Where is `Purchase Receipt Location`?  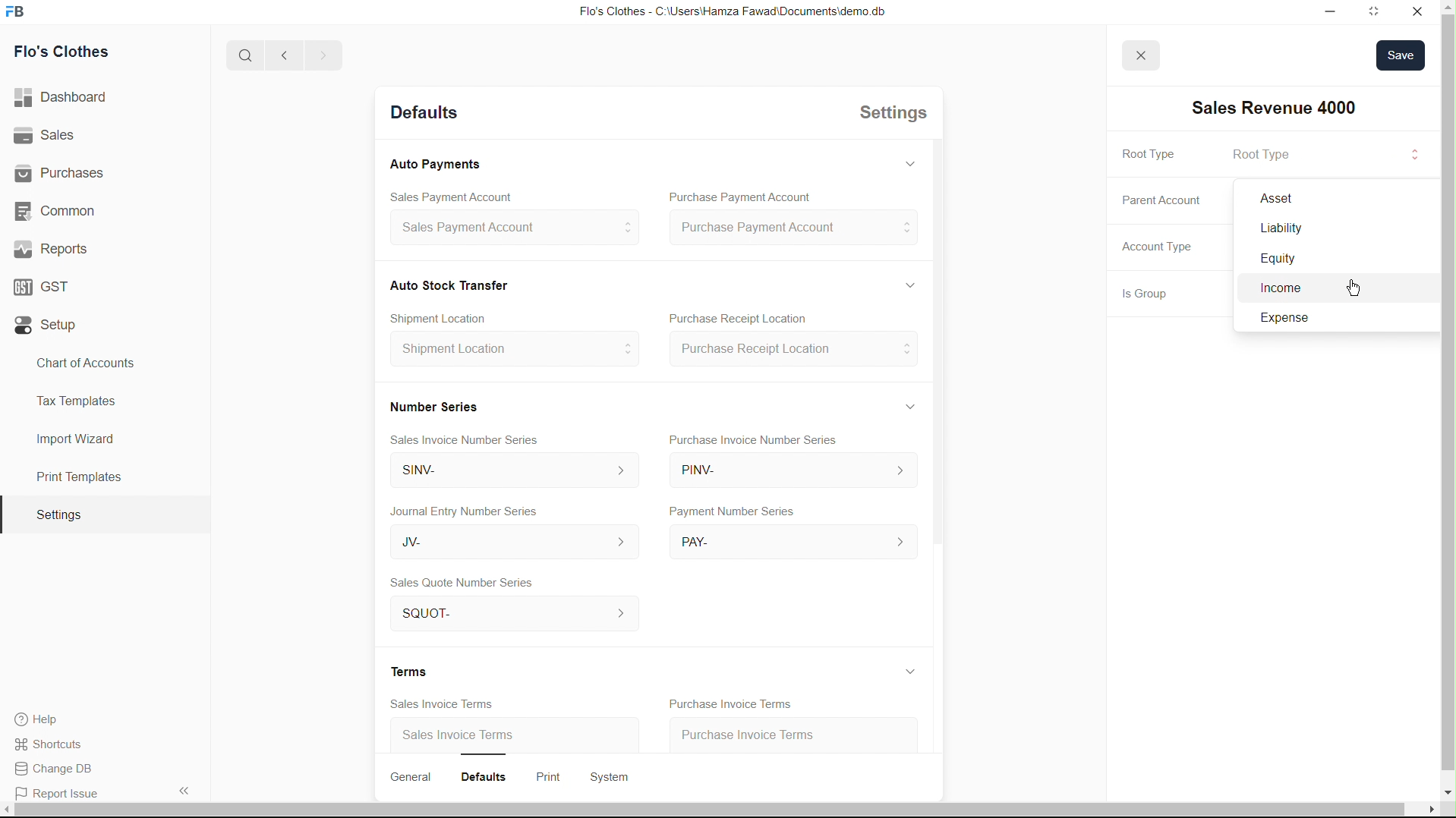 Purchase Receipt Location is located at coordinates (764, 319).